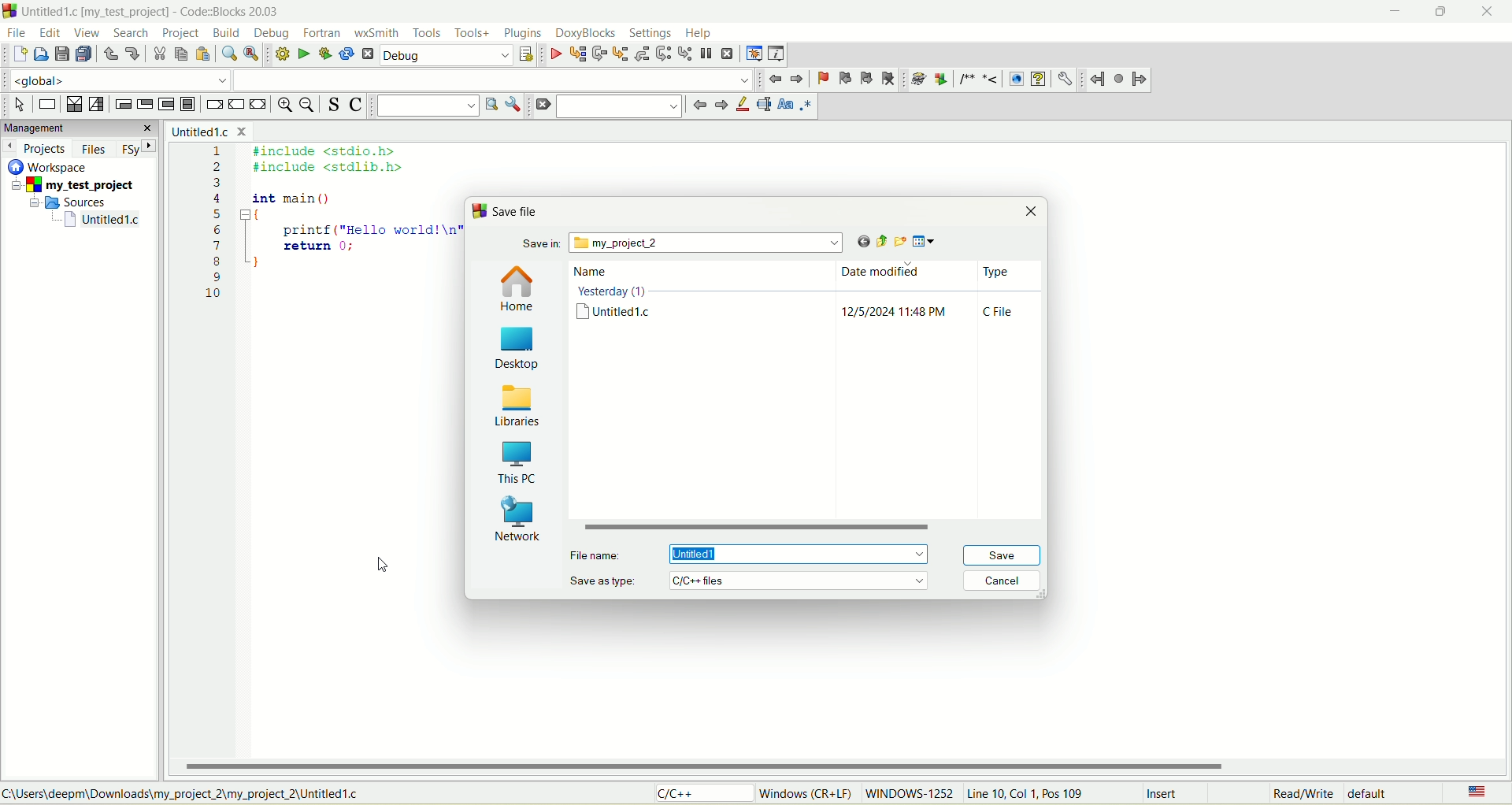  I want to click on select target dialog, so click(525, 56).